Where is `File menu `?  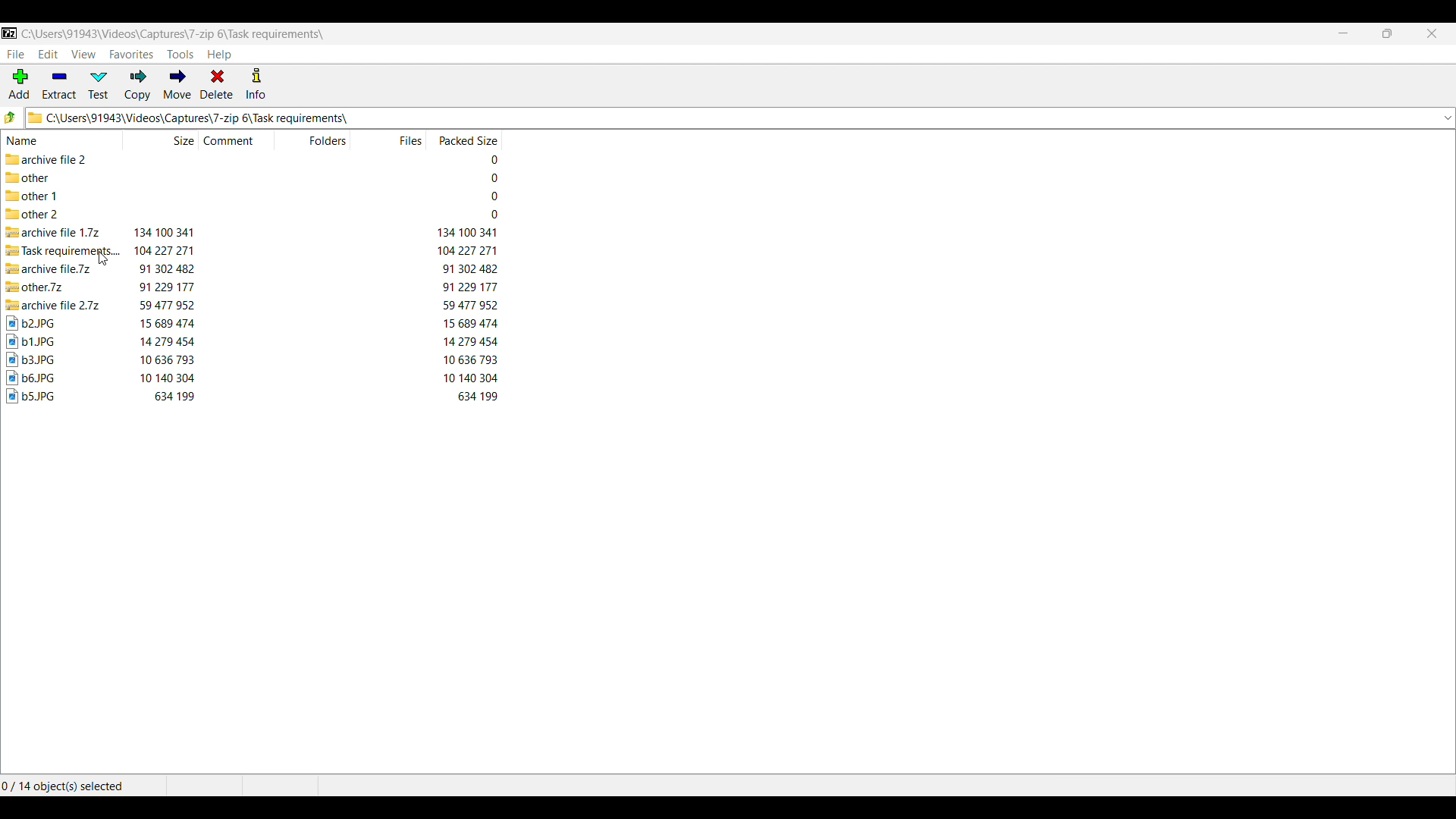
File menu  is located at coordinates (15, 54).